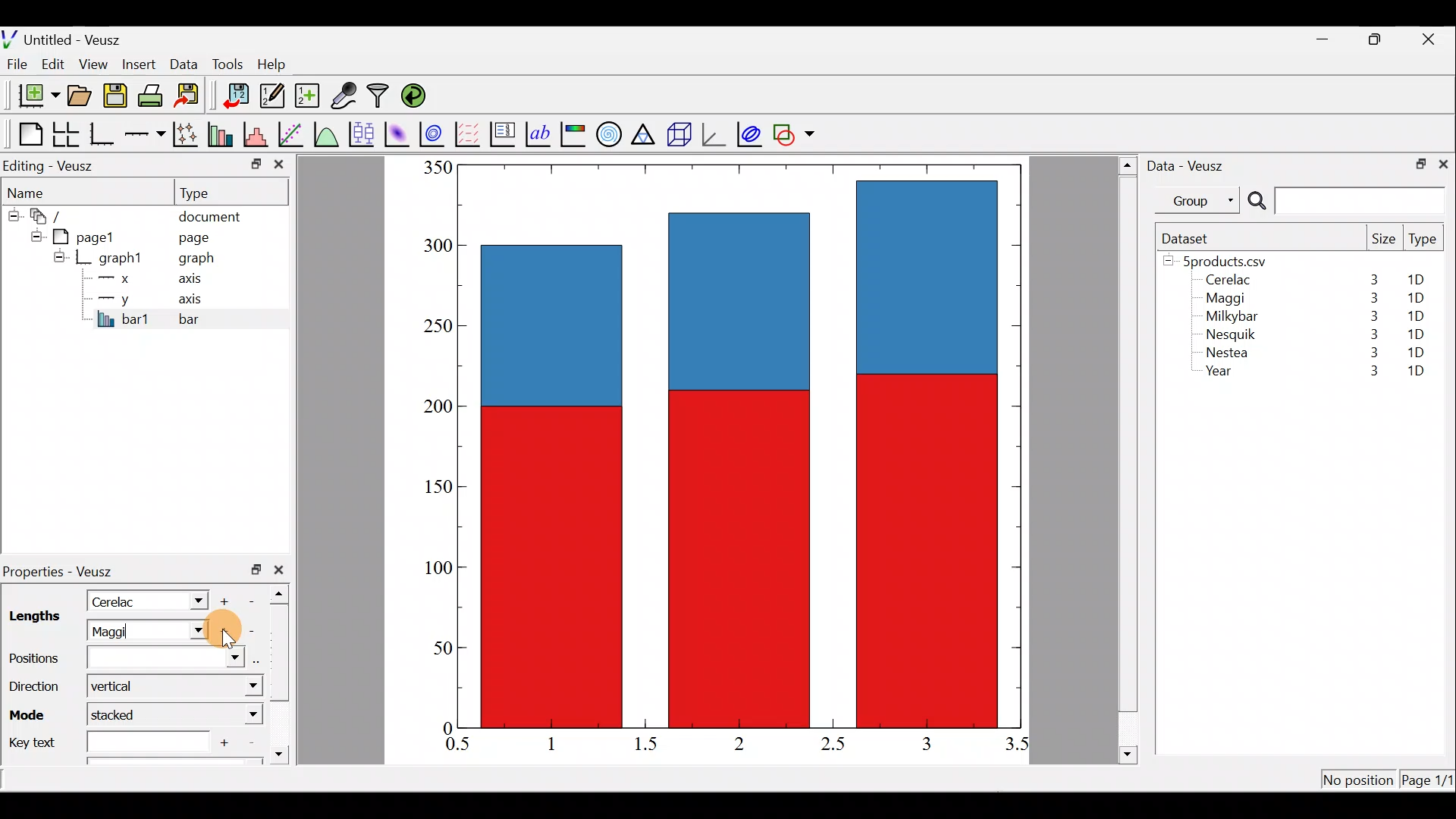 Image resolution: width=1456 pixels, height=819 pixels. What do you see at coordinates (363, 133) in the screenshot?
I see `Plot box plots` at bounding box center [363, 133].